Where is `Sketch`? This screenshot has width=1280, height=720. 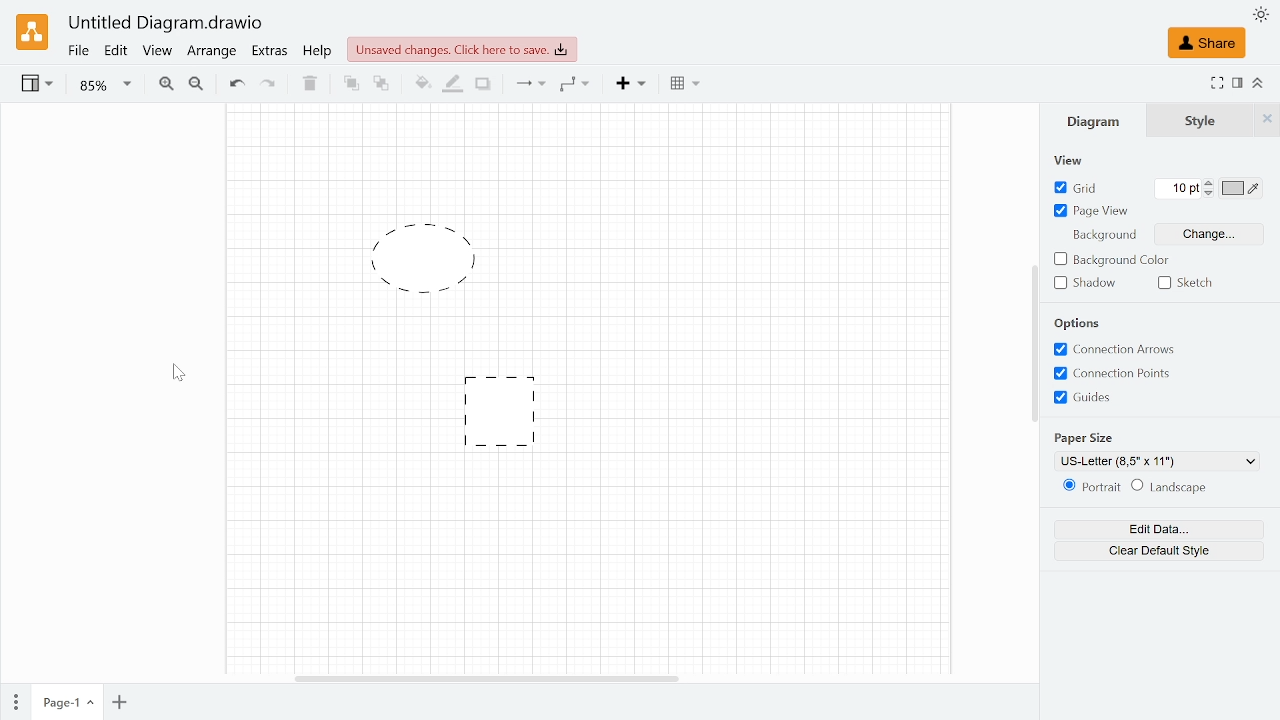
Sketch is located at coordinates (1193, 282).